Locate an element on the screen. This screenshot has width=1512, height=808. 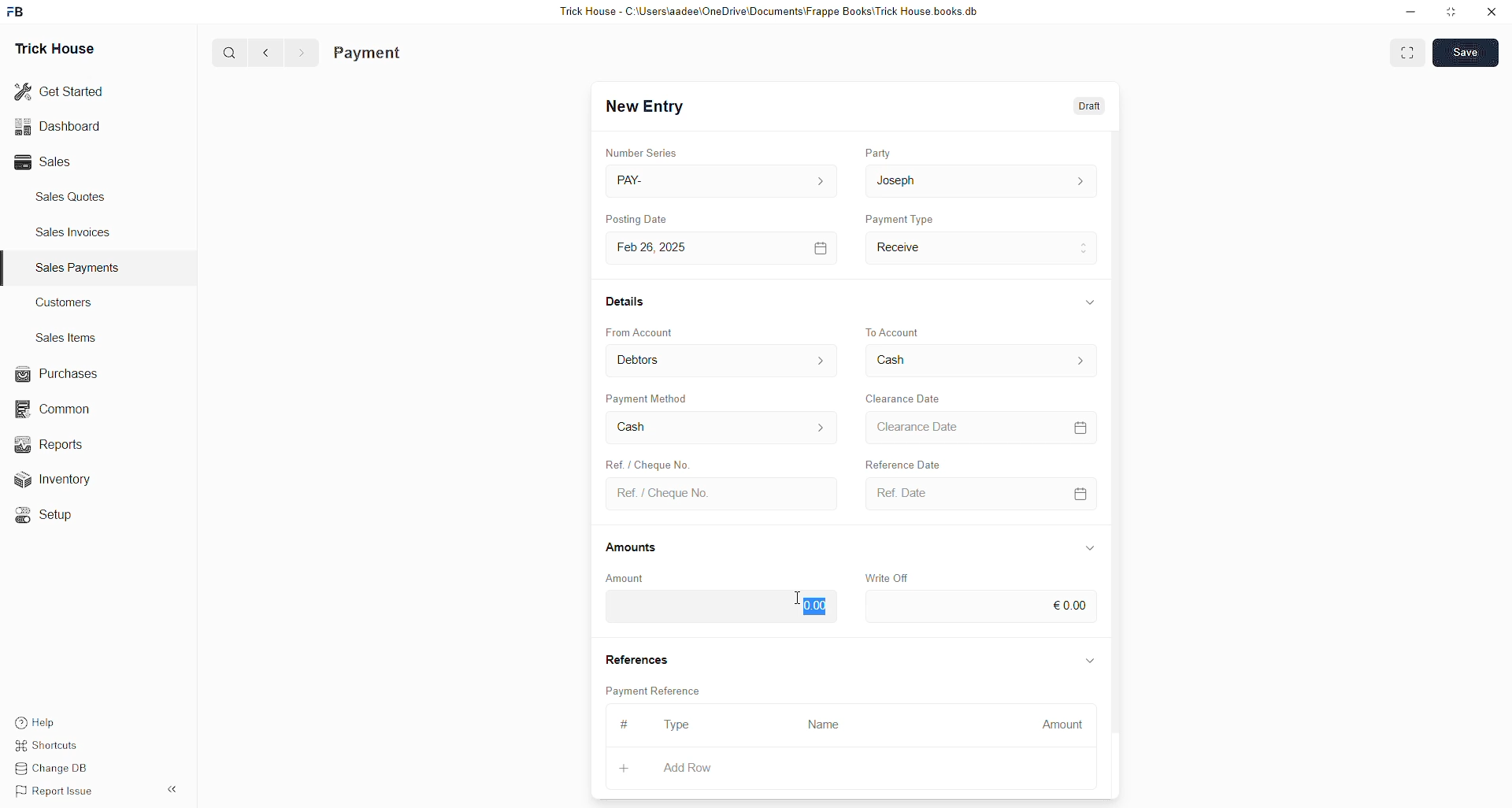
Show/Hide is located at coordinates (1089, 548).